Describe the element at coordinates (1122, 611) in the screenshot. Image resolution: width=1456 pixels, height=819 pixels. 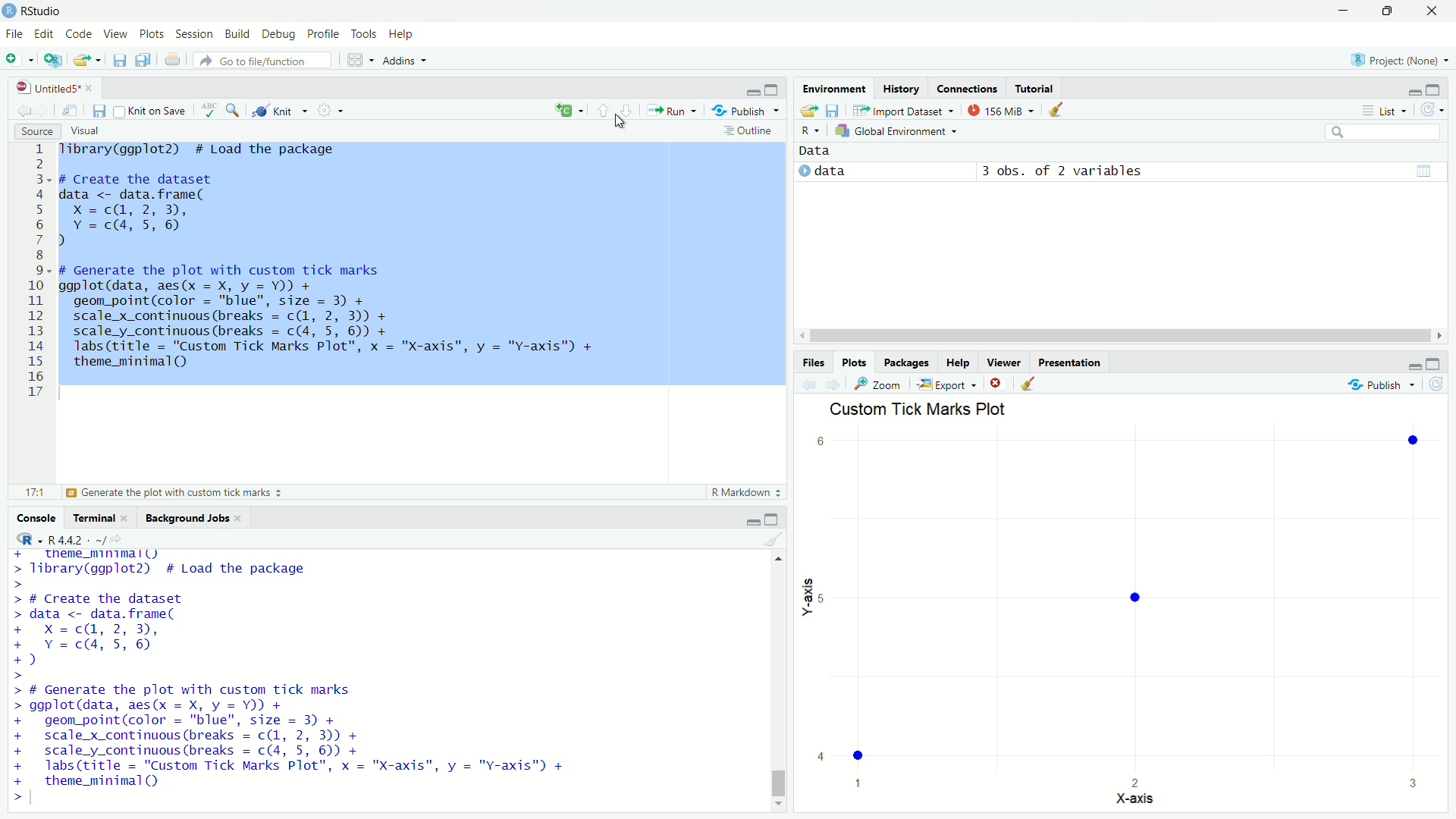
I see `empty plot area` at that location.